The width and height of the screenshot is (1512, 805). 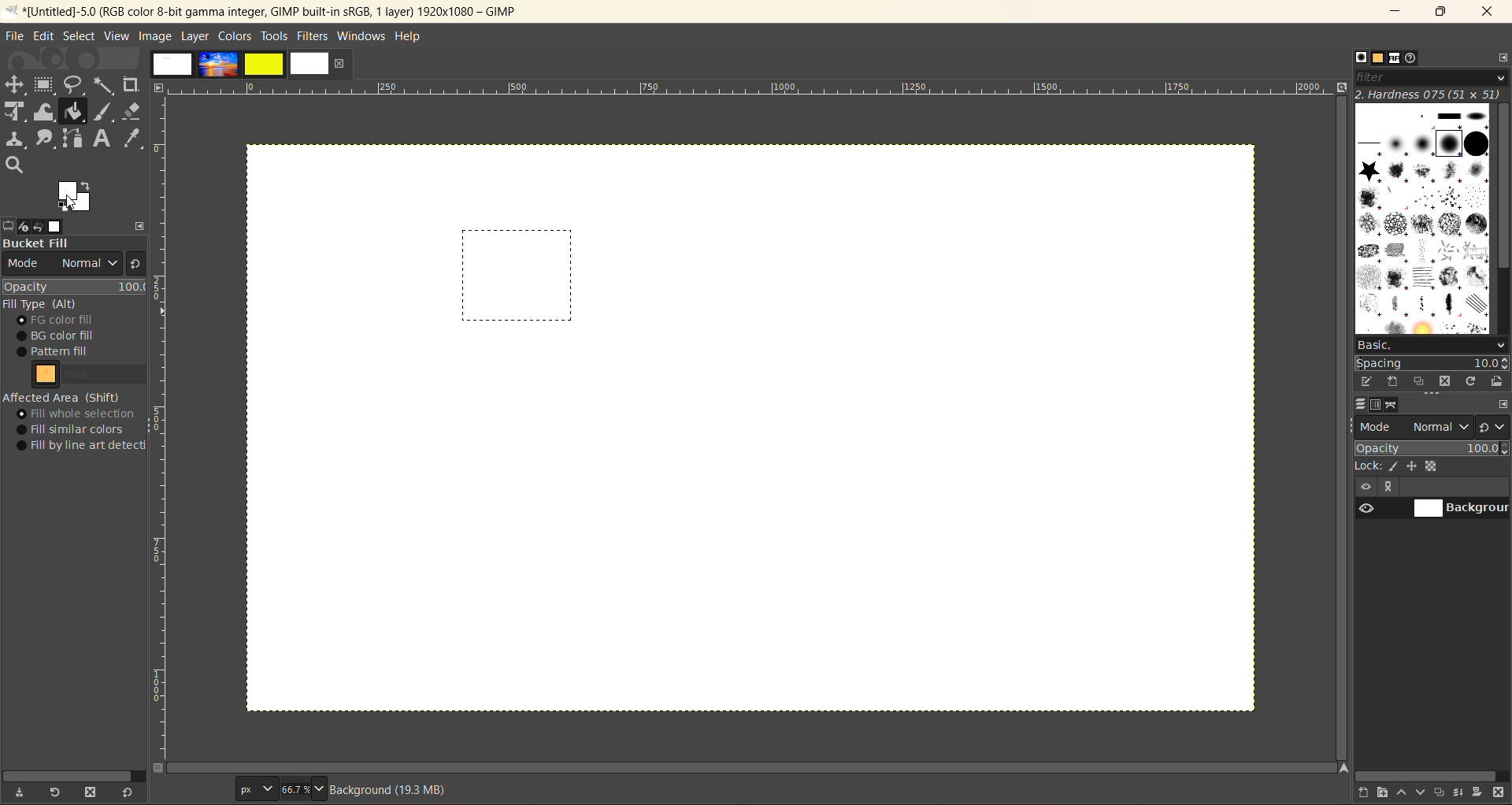 What do you see at coordinates (115, 36) in the screenshot?
I see `view` at bounding box center [115, 36].